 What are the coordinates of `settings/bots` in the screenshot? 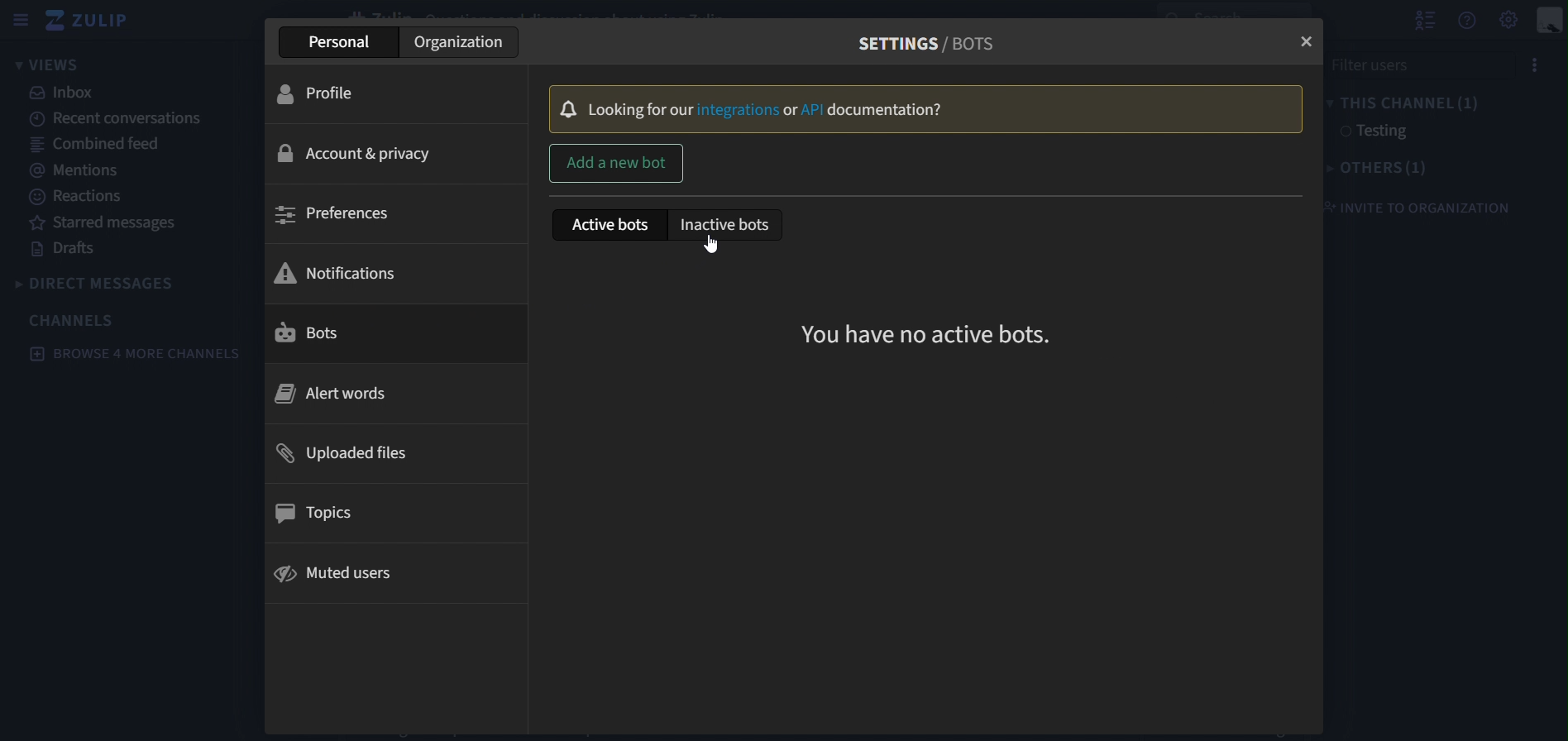 It's located at (928, 41).